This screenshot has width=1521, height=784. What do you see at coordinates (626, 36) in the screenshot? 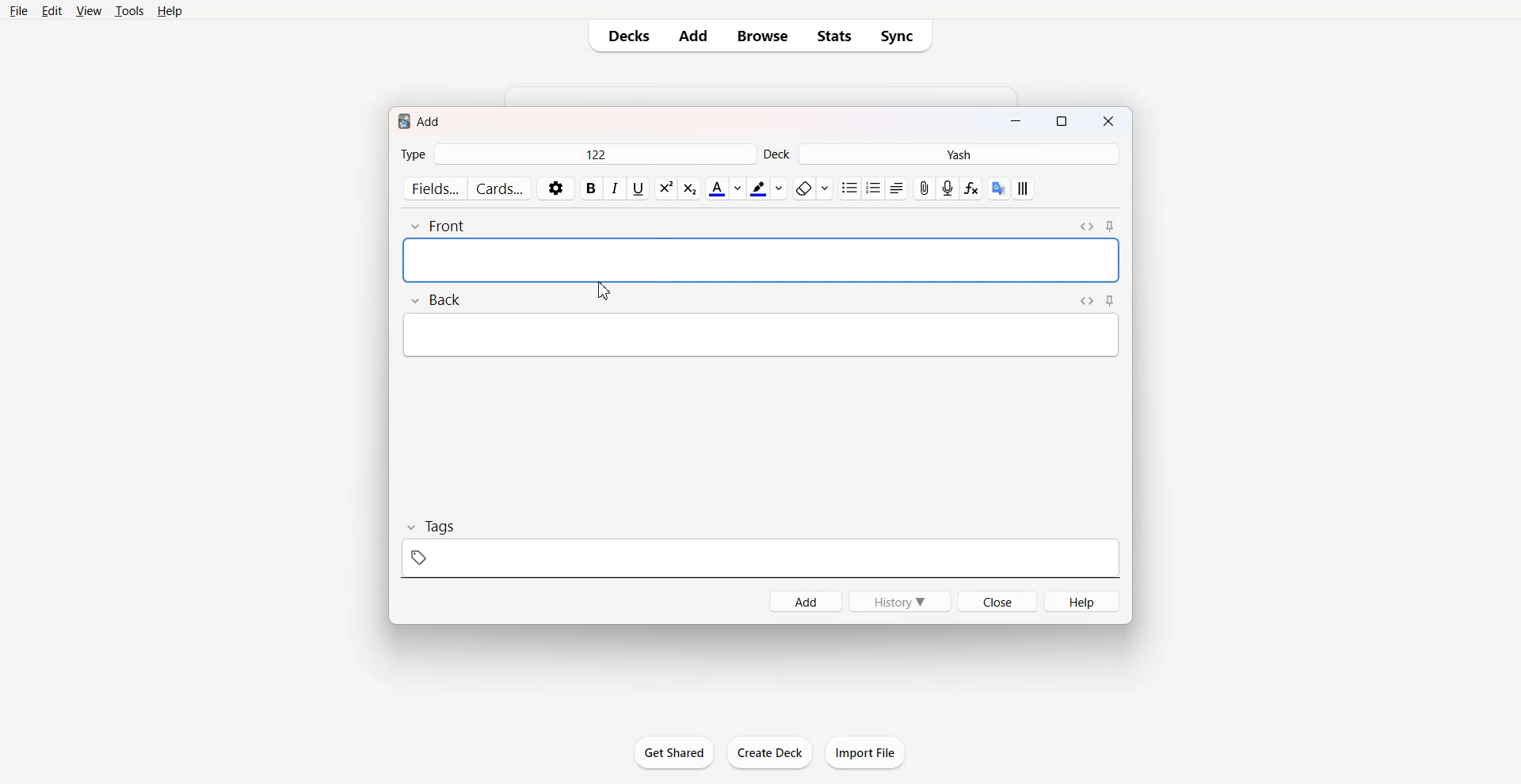
I see `Decks` at bounding box center [626, 36].